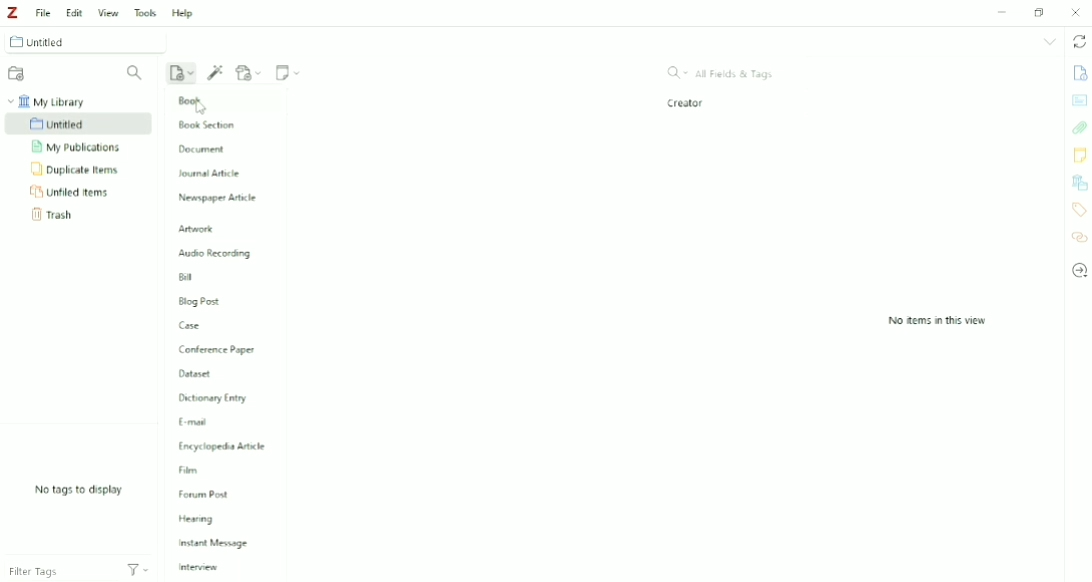 This screenshot has width=1092, height=582. I want to click on Libraries and Collections, so click(1079, 182).